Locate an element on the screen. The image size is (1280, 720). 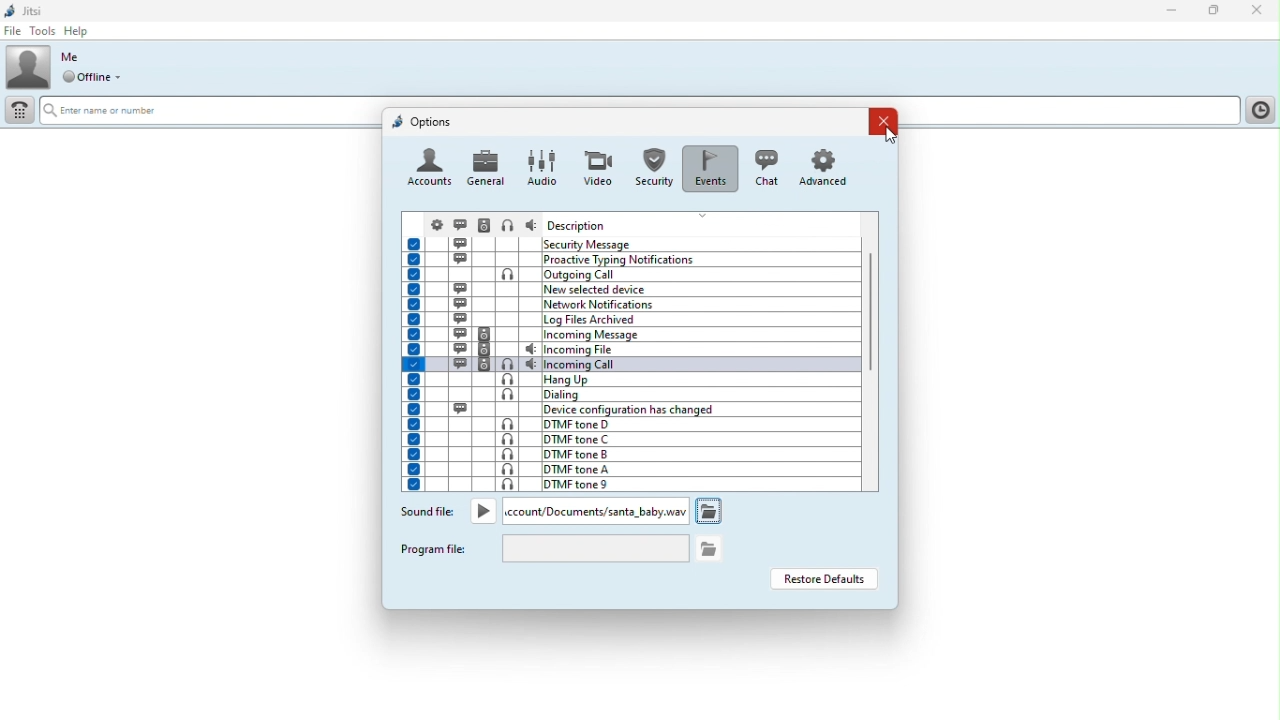
proactive typing notifications is located at coordinates (633, 259).